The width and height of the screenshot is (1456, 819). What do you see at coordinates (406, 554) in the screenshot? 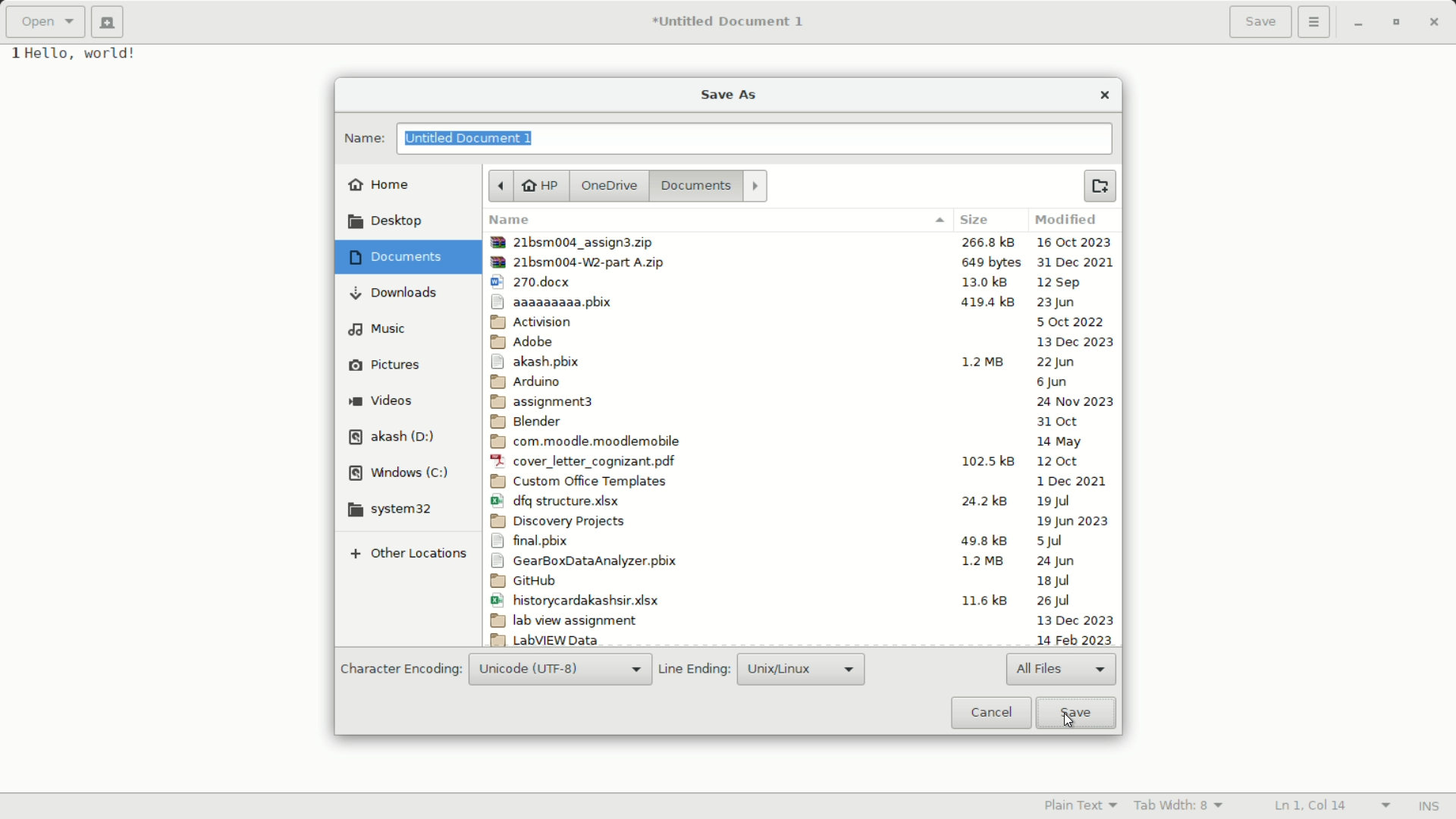
I see `Add other locations` at bounding box center [406, 554].